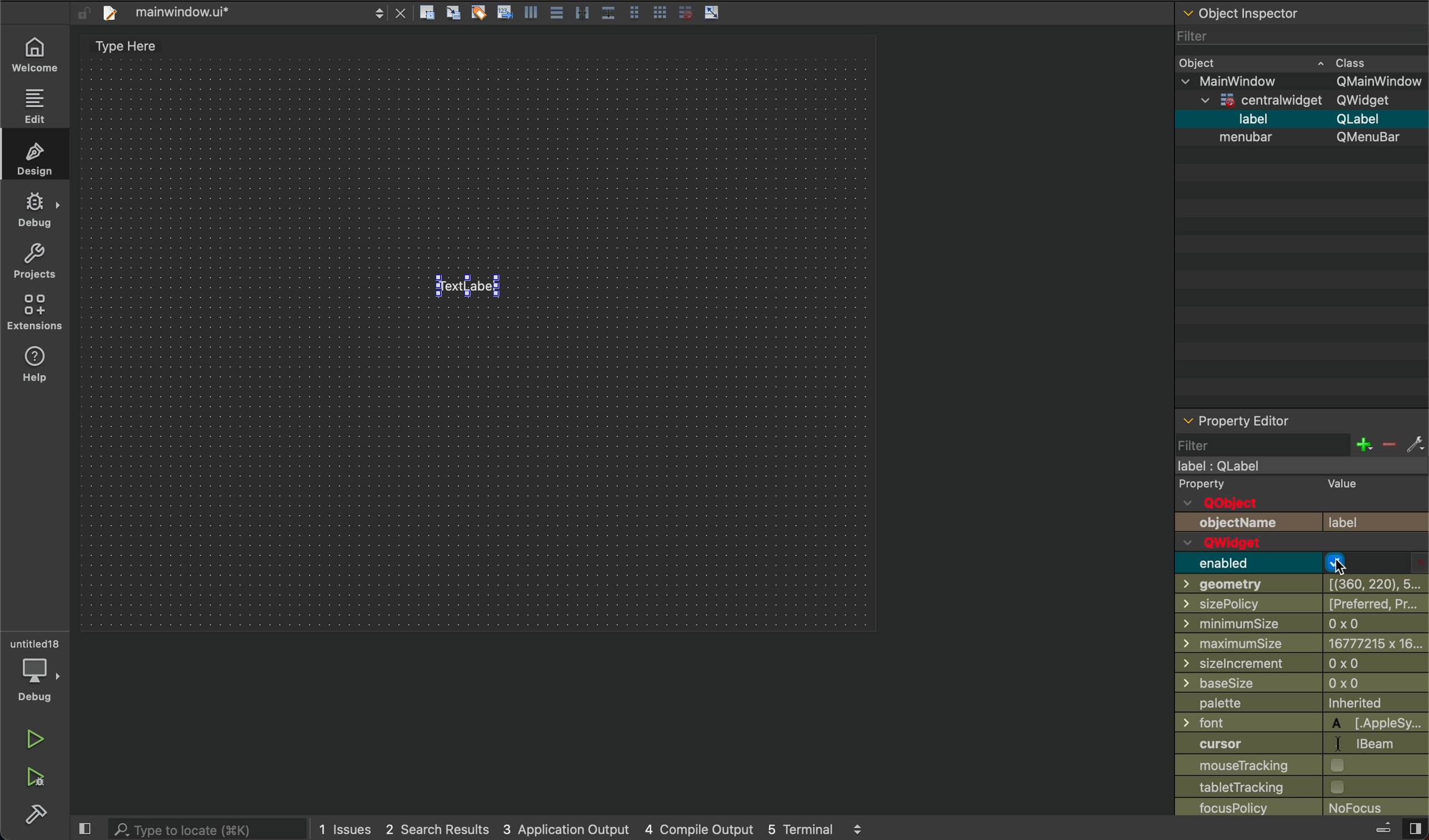 The width and height of the screenshot is (1429, 840). I want to click on Filter, so click(1197, 35).